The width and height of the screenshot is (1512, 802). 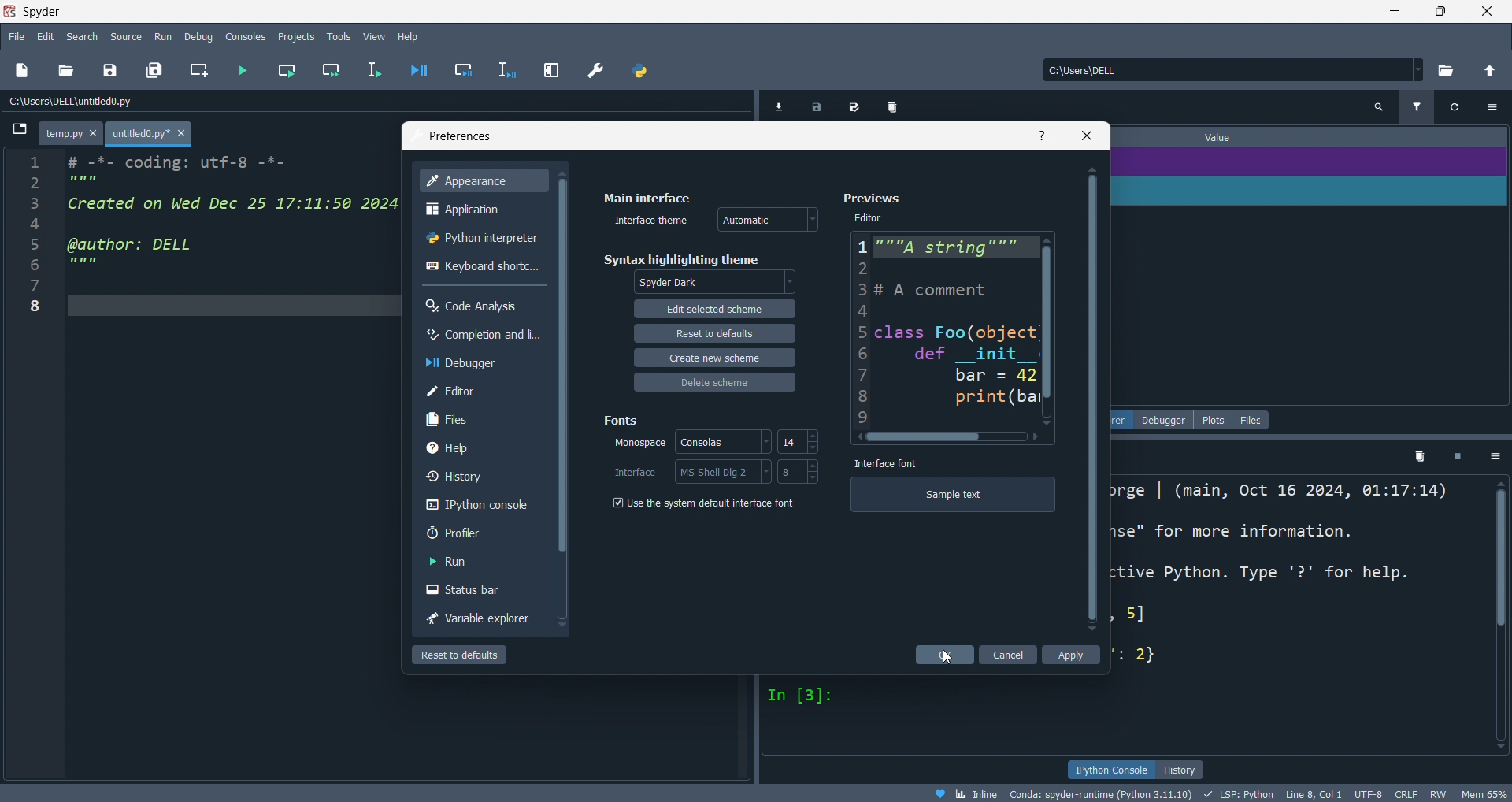 I want to click on Fonts, so click(x=629, y=418).